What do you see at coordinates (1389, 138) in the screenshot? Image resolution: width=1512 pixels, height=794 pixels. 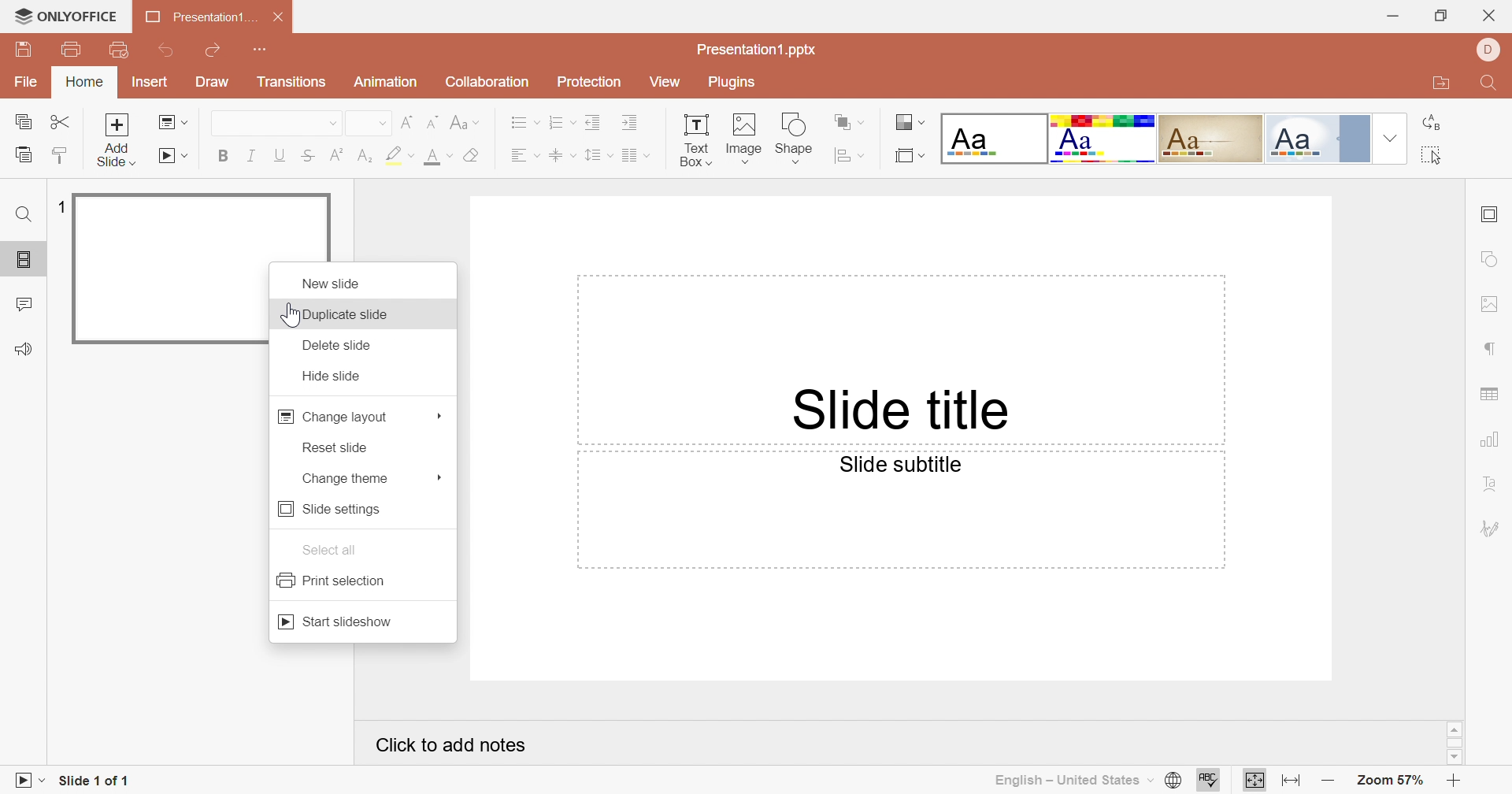 I see `Drop Down` at bounding box center [1389, 138].